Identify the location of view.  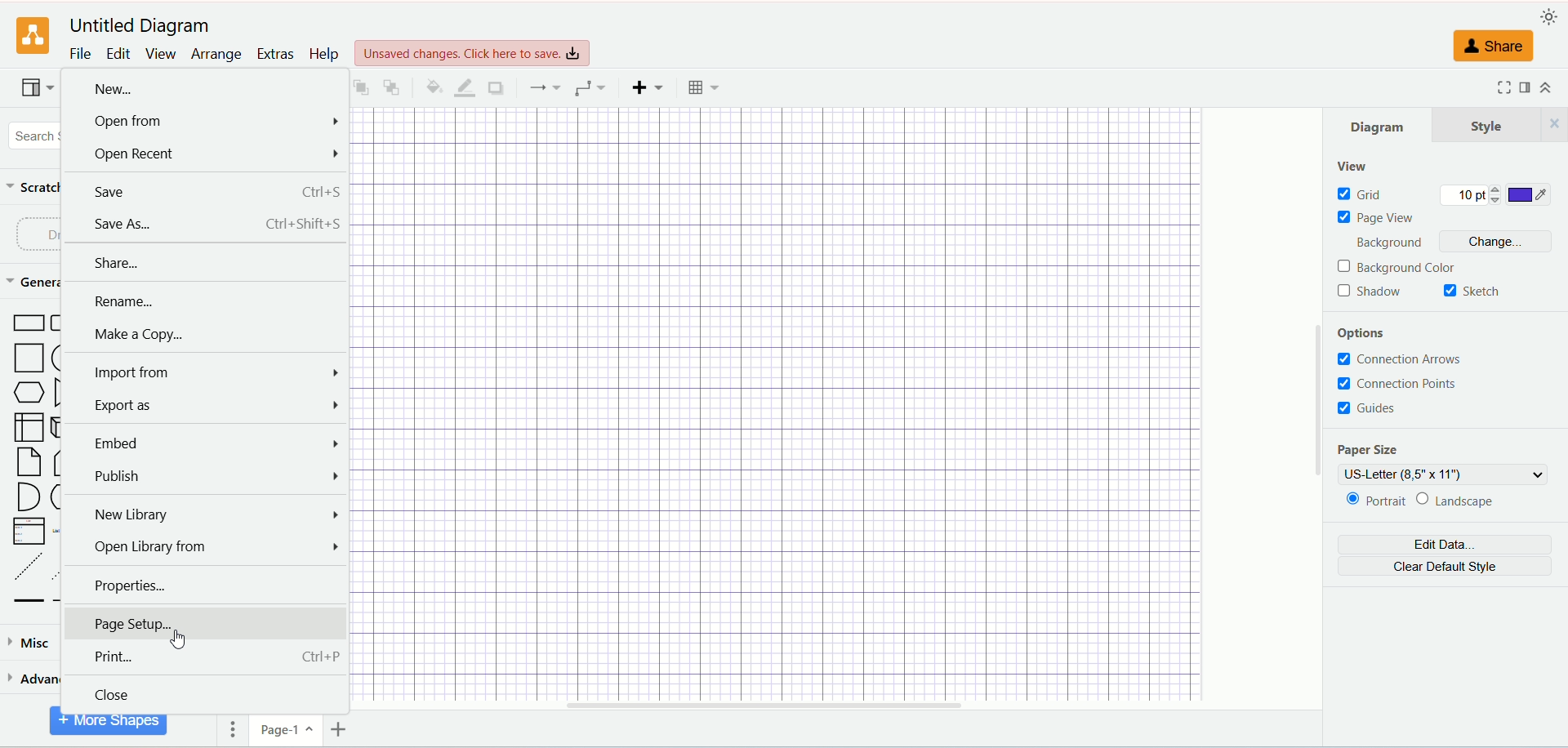
(35, 90).